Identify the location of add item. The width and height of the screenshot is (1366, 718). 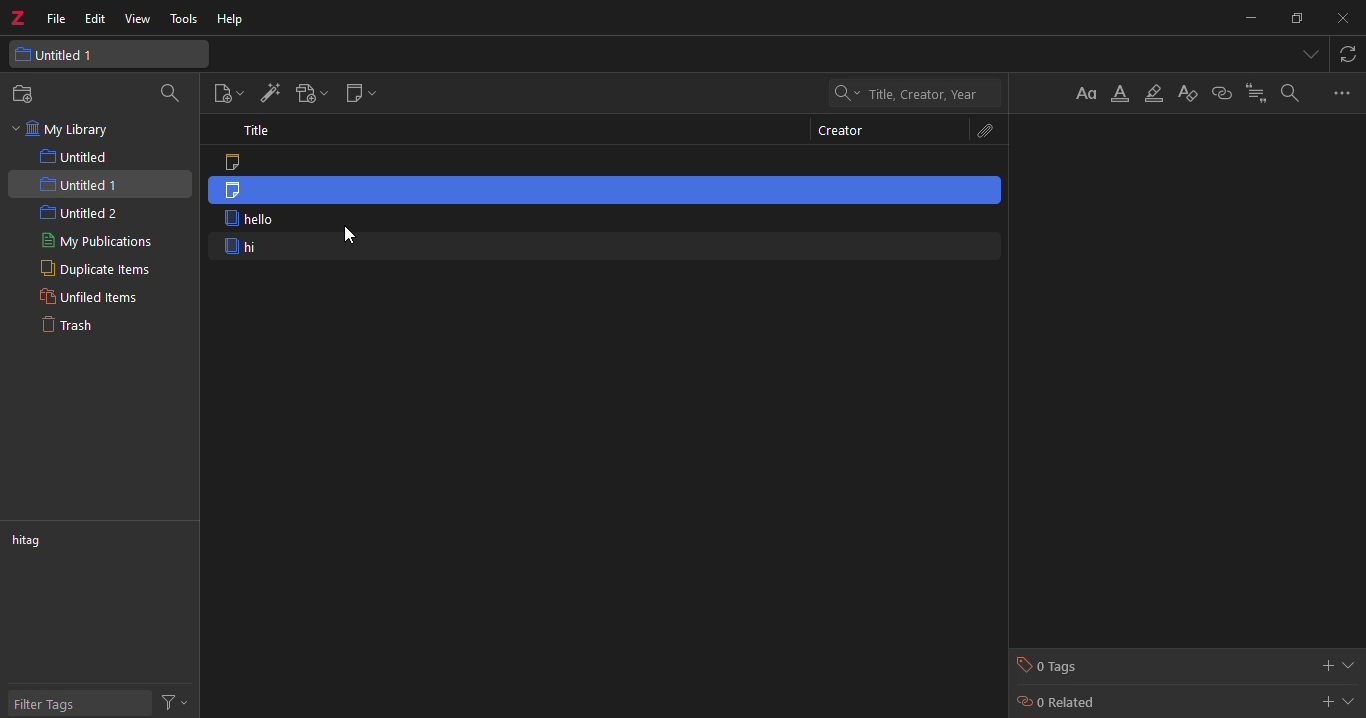
(271, 94).